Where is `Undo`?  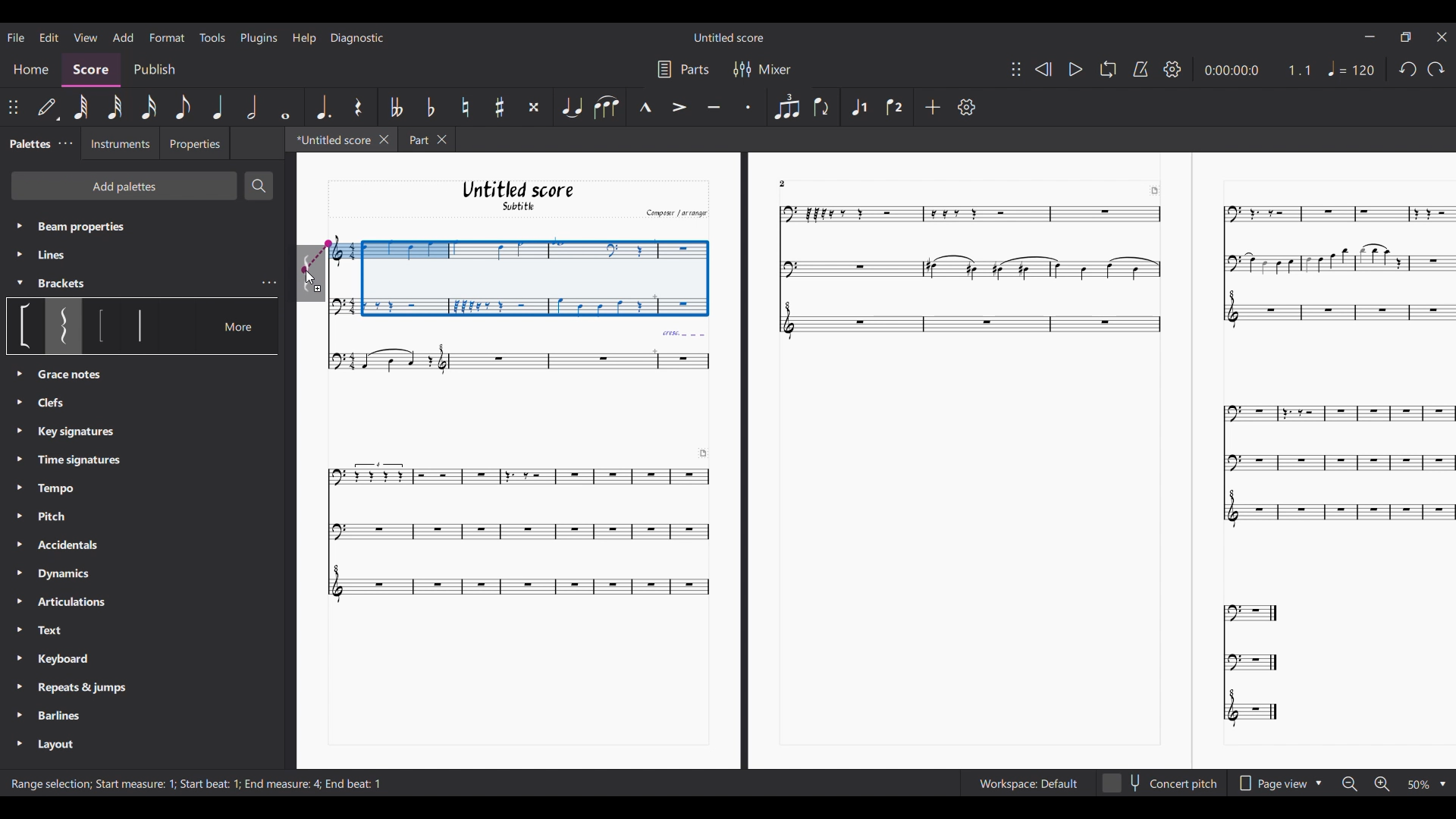 Undo is located at coordinates (1436, 72).